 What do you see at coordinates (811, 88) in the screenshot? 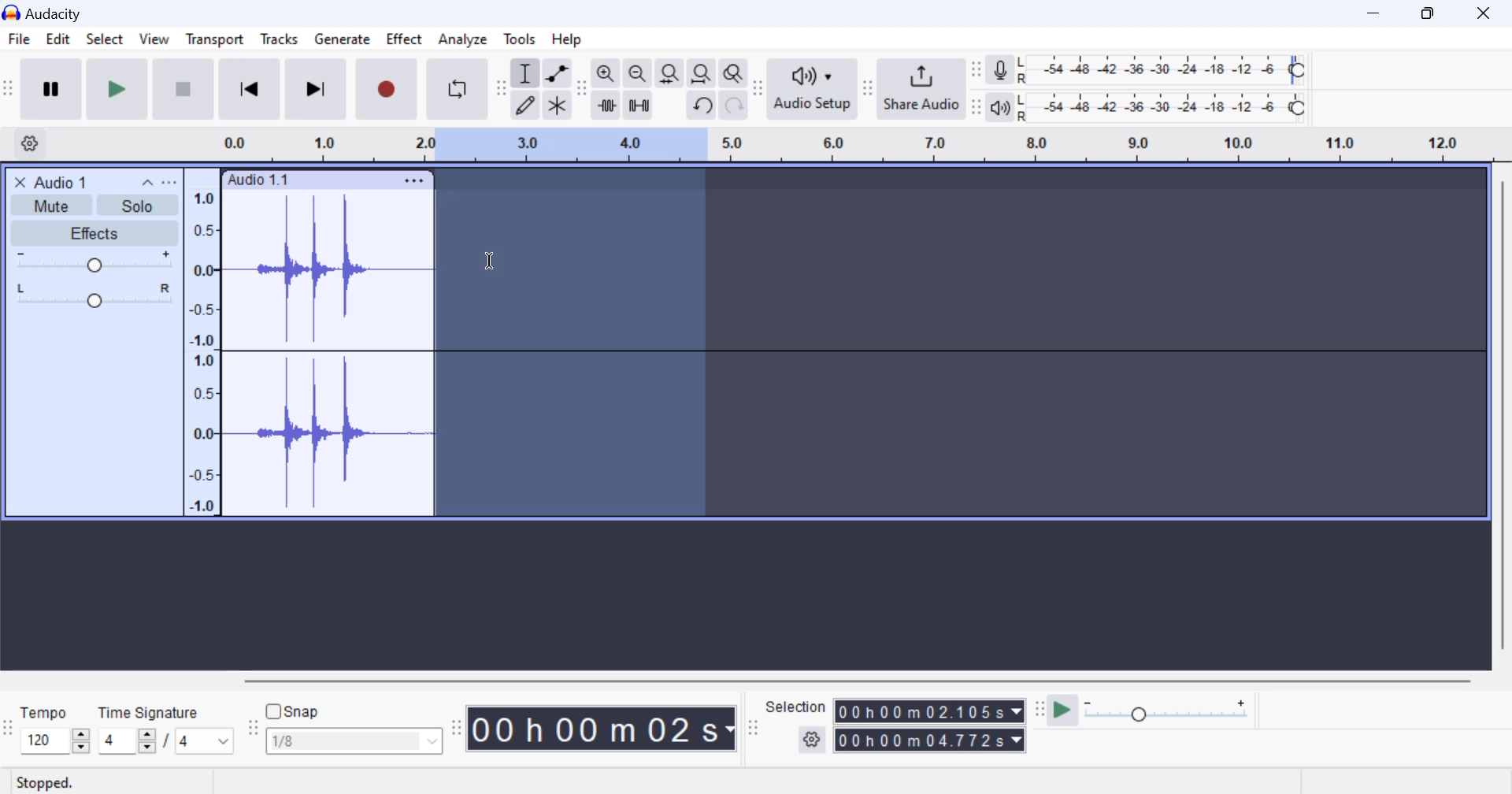
I see `Audio Setup` at bounding box center [811, 88].